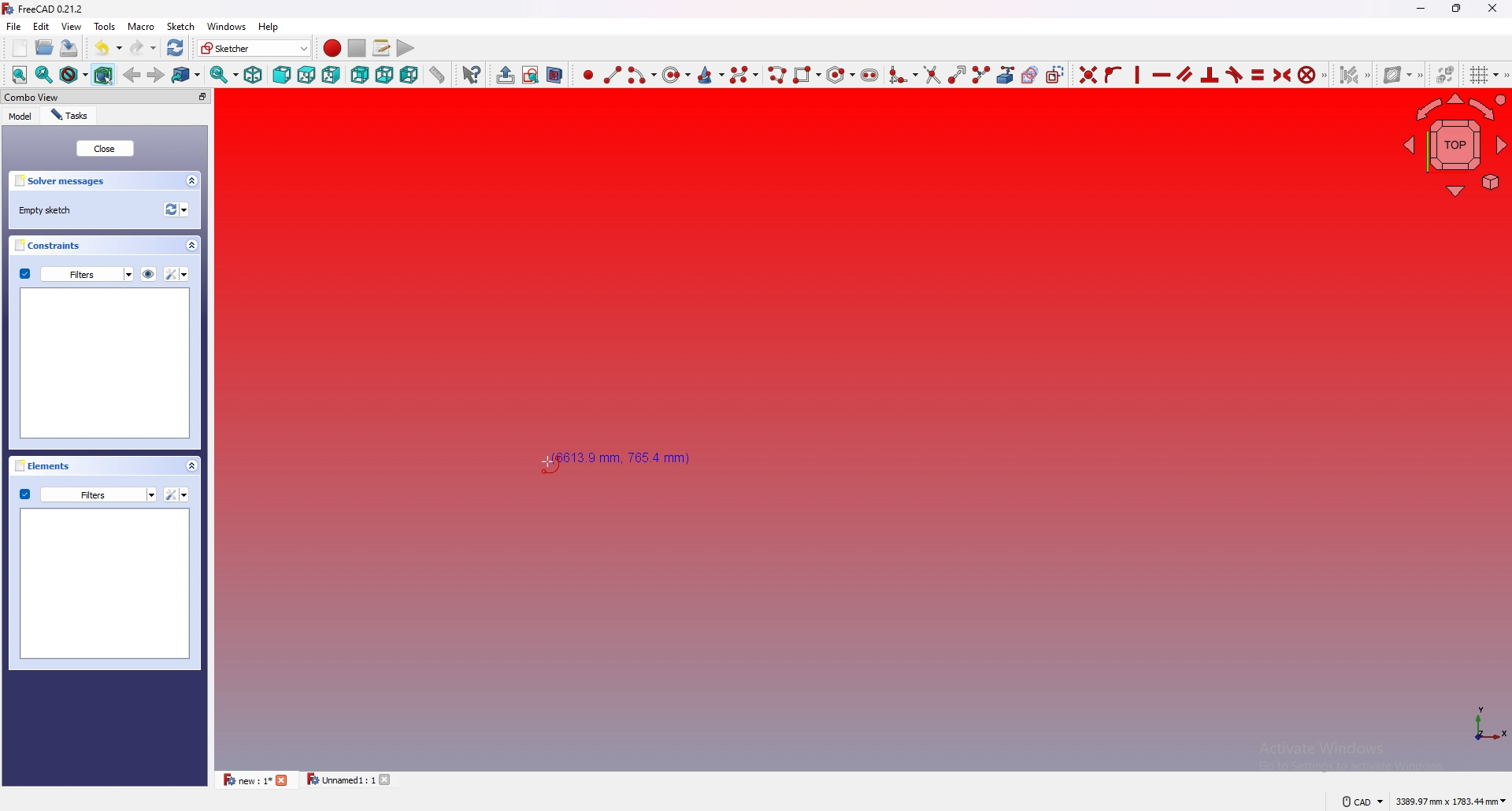  Describe the element at coordinates (45, 9) in the screenshot. I see `FreeCAD 0.21.2` at that location.